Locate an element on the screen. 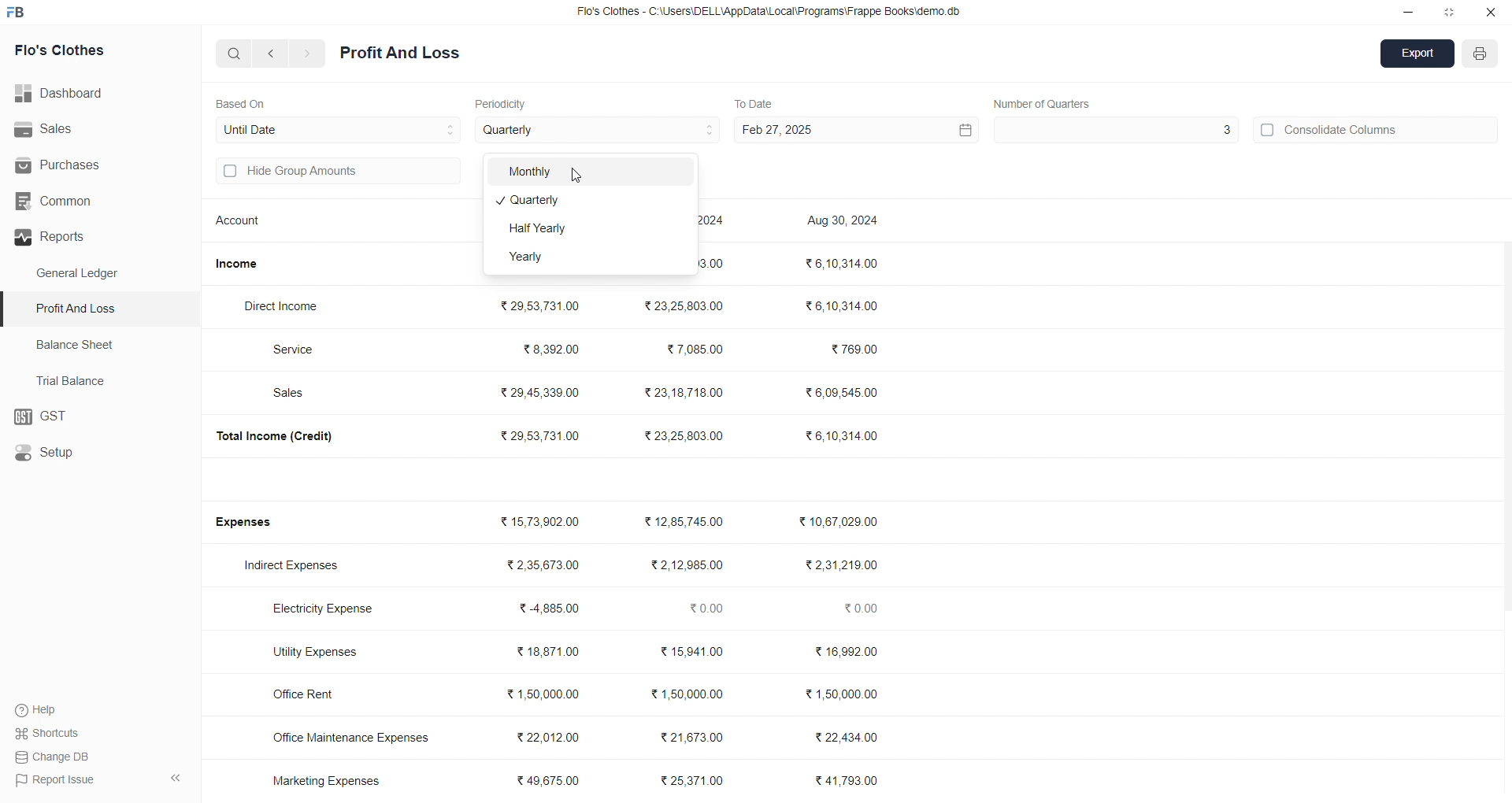 Image resolution: width=1512 pixels, height=803 pixels. To Date is located at coordinates (753, 102).